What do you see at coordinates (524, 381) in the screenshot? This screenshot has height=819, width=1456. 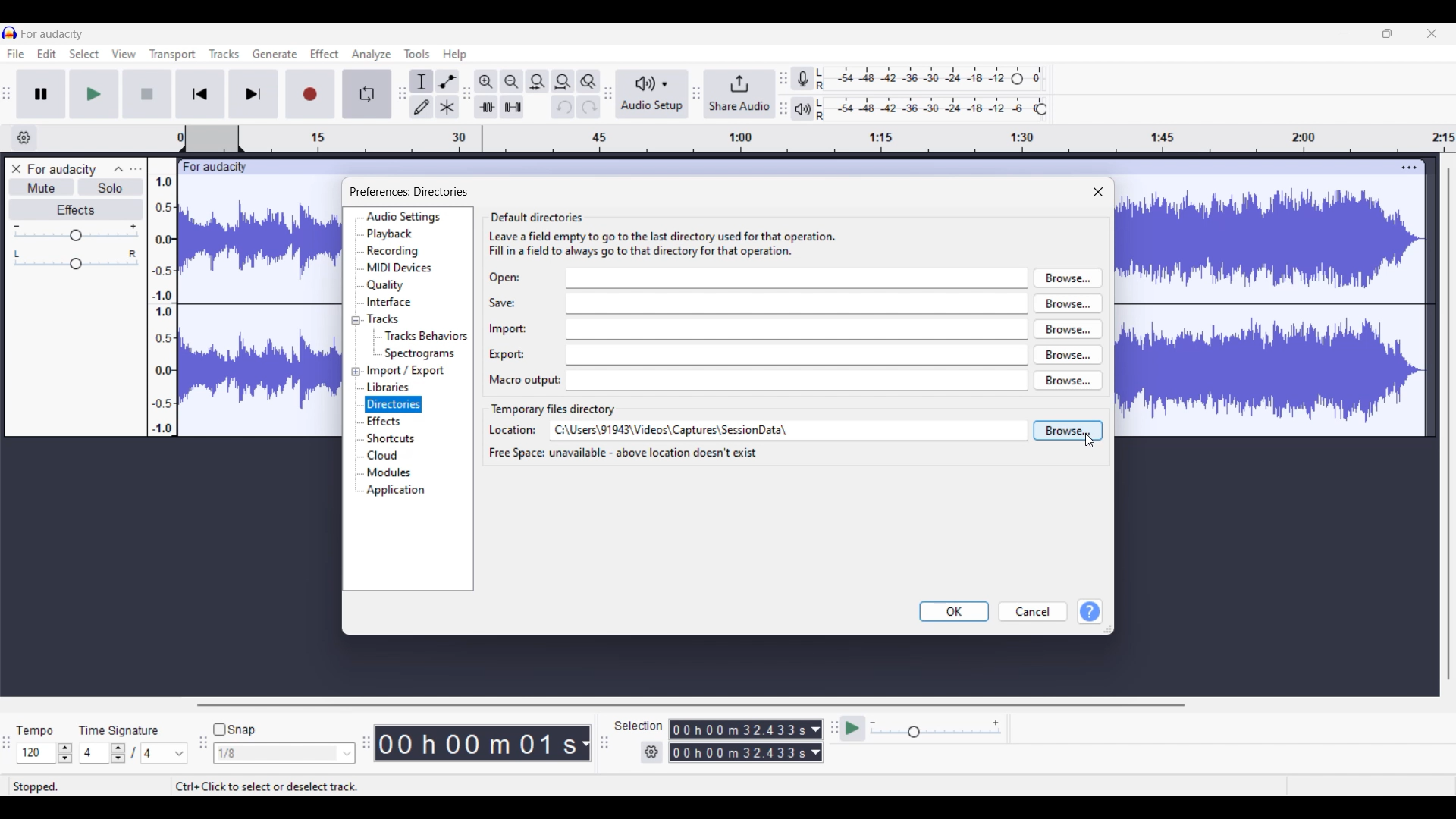 I see `Indicates text box for Macro output` at bounding box center [524, 381].